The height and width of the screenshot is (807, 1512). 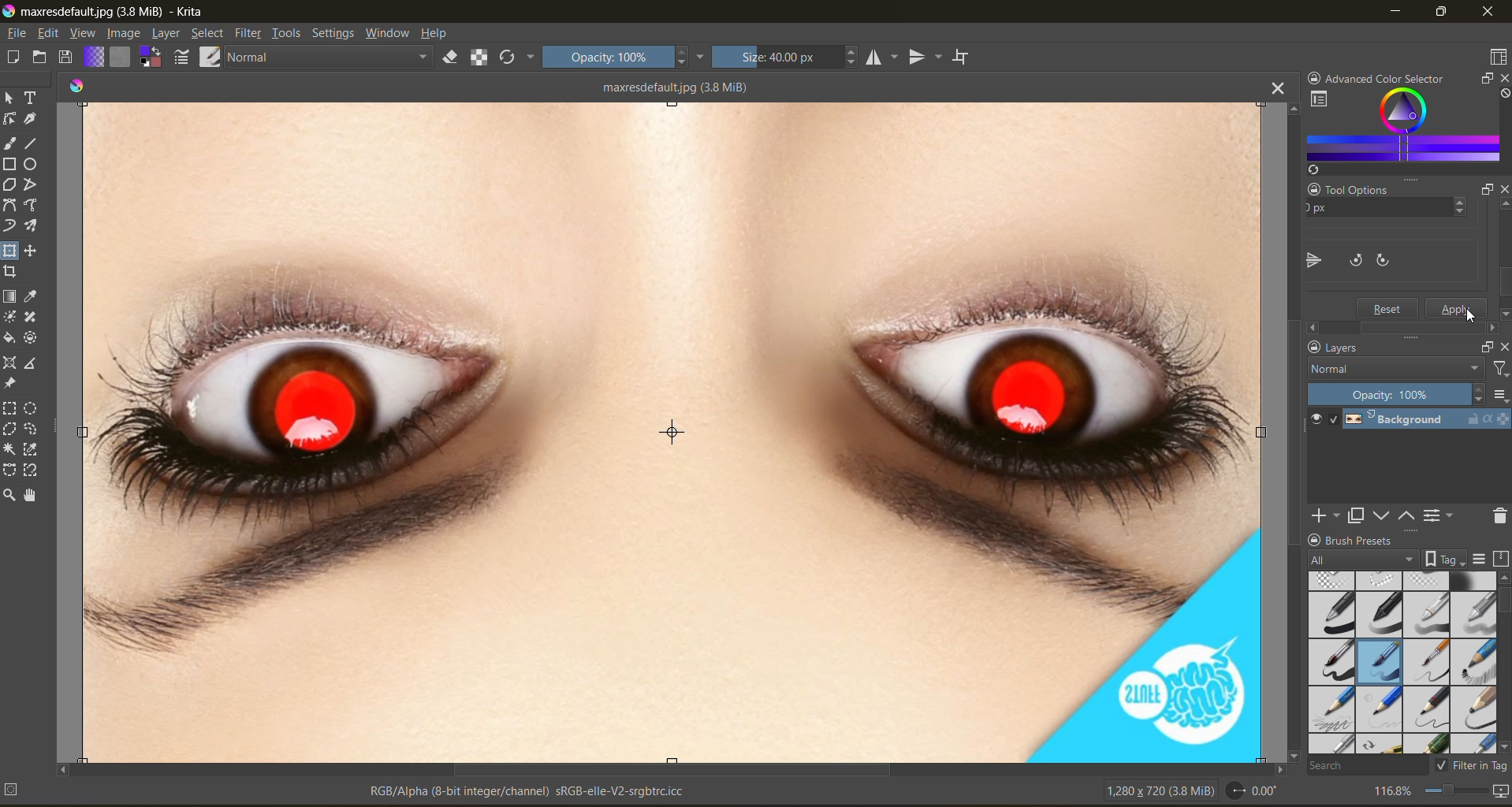 What do you see at coordinates (1159, 794) in the screenshot?
I see `image metadata` at bounding box center [1159, 794].